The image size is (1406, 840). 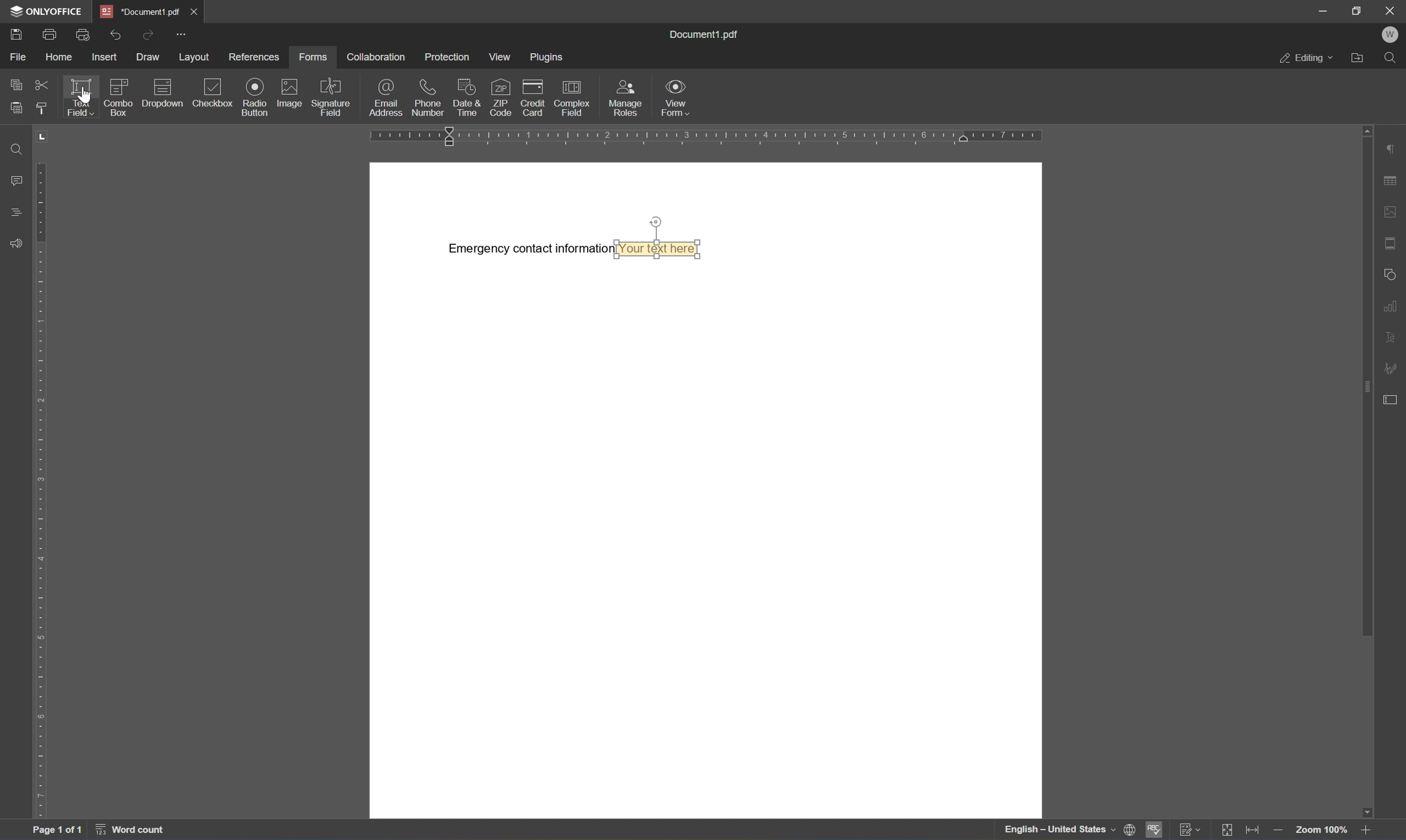 What do you see at coordinates (533, 97) in the screenshot?
I see `credit card` at bounding box center [533, 97].